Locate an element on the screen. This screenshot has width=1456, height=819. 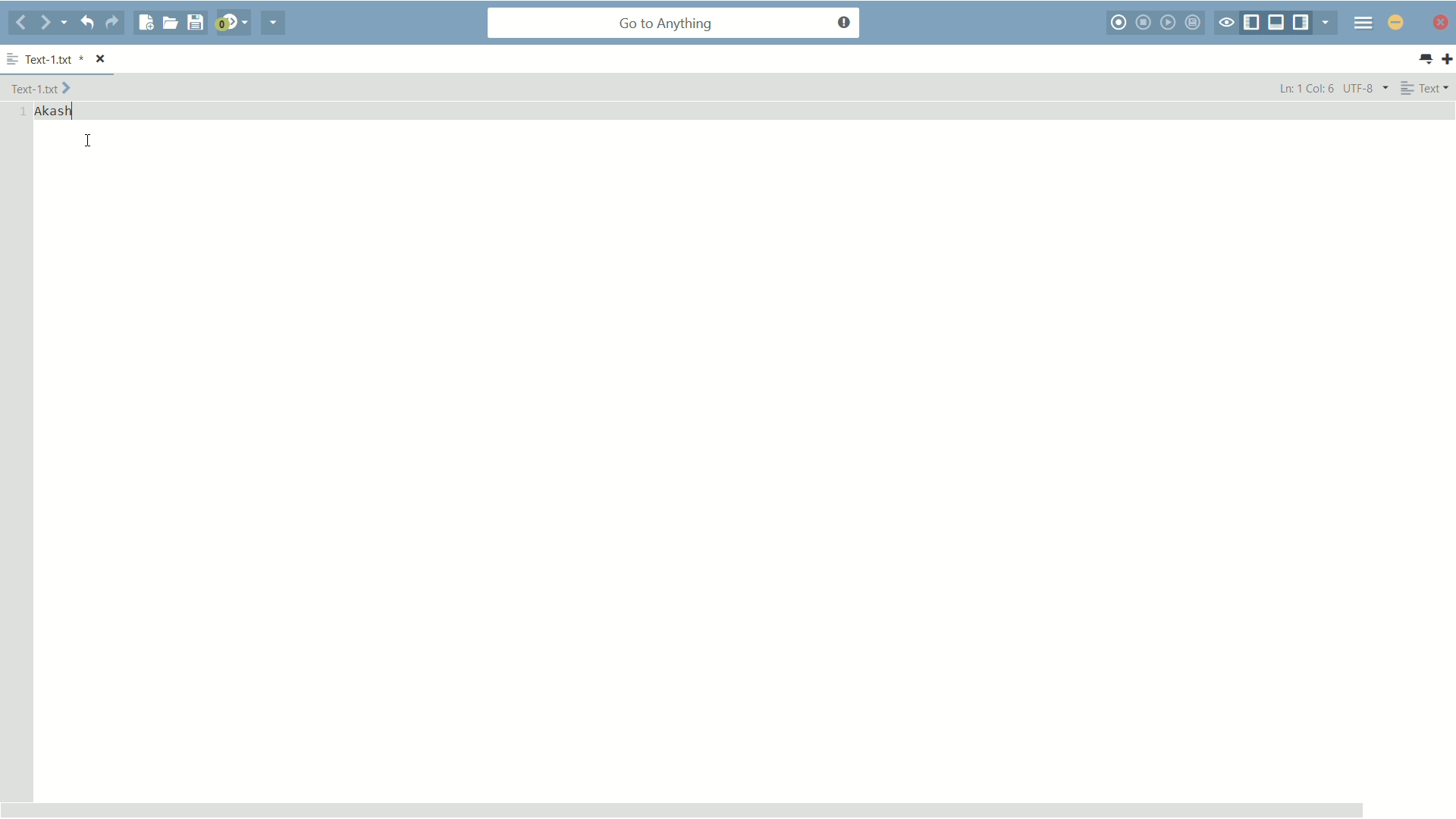
play last macro is located at coordinates (1169, 22).